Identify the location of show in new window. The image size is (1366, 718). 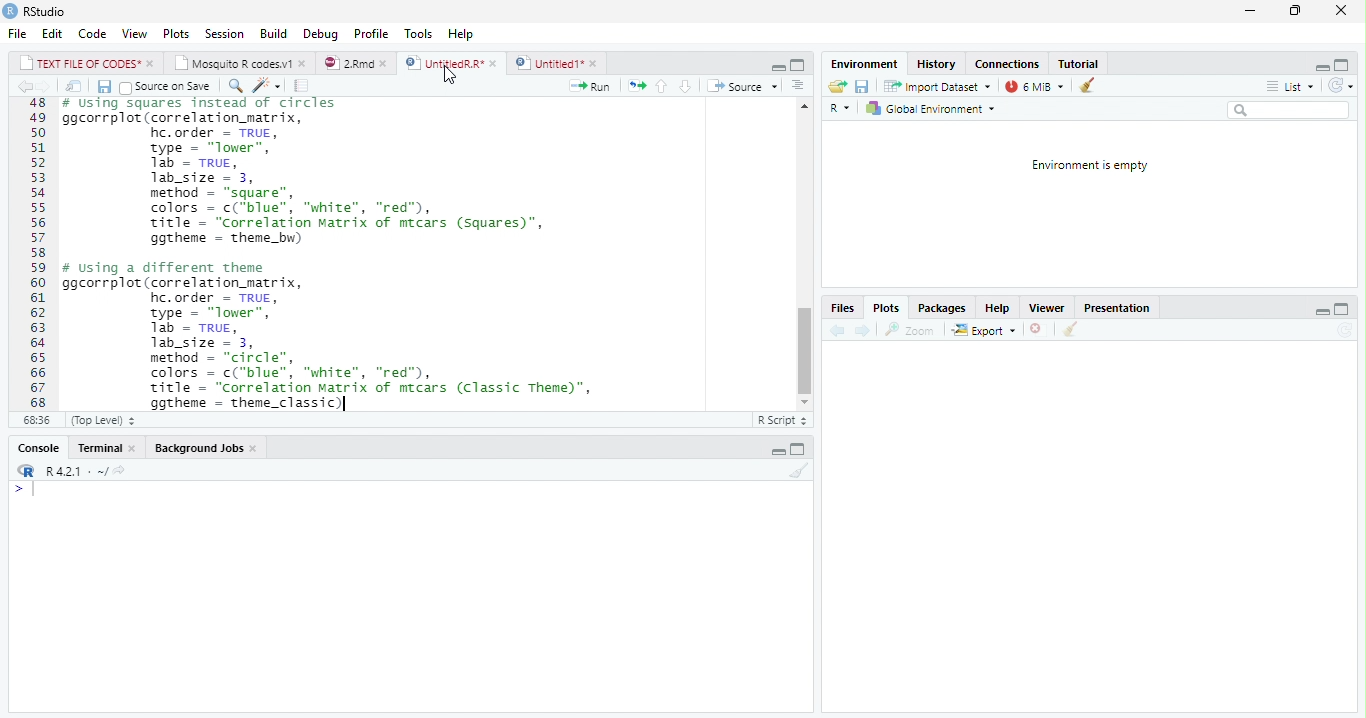
(74, 86).